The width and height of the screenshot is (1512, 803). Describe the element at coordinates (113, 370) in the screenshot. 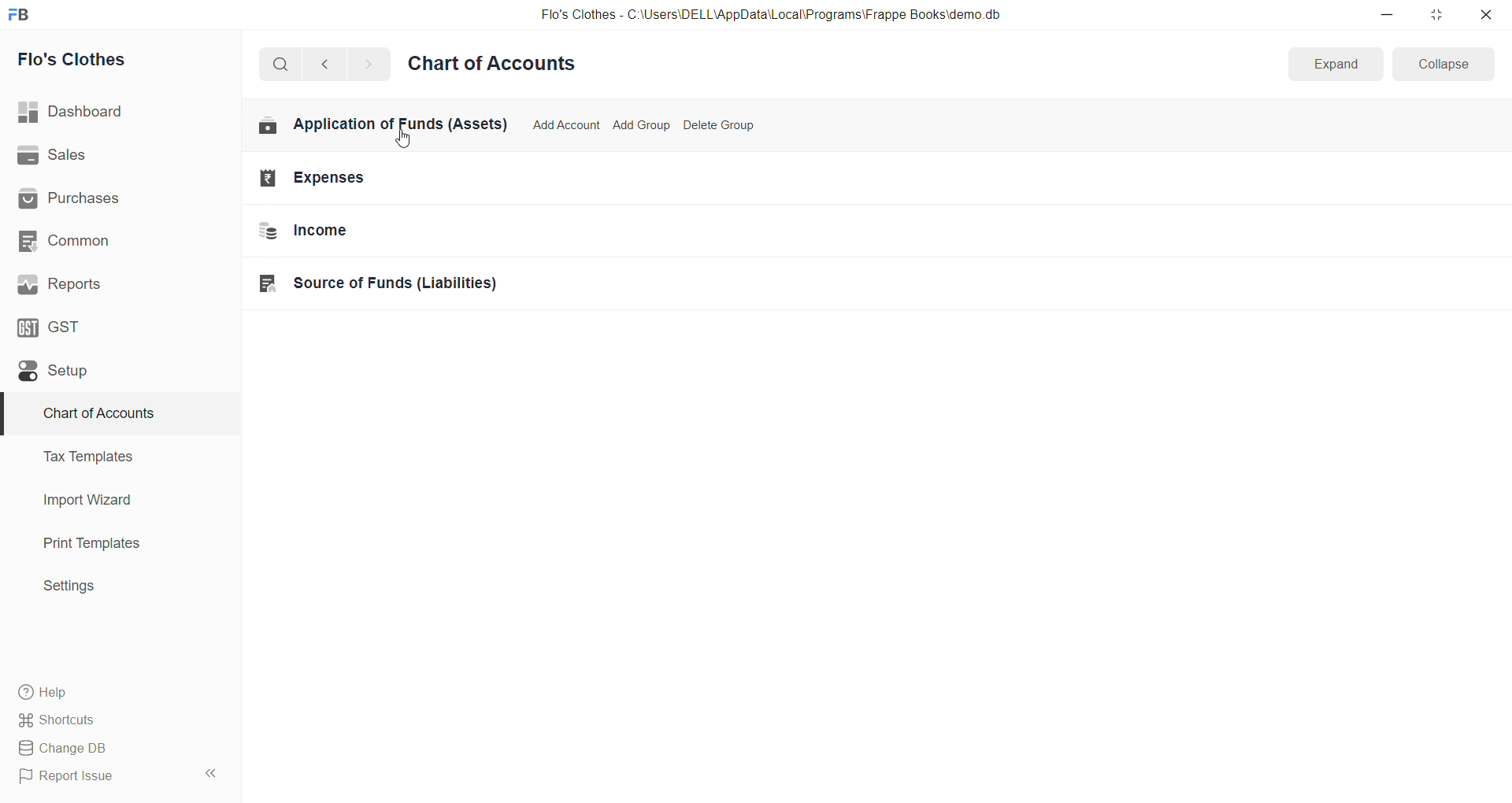

I see `Setup` at that location.